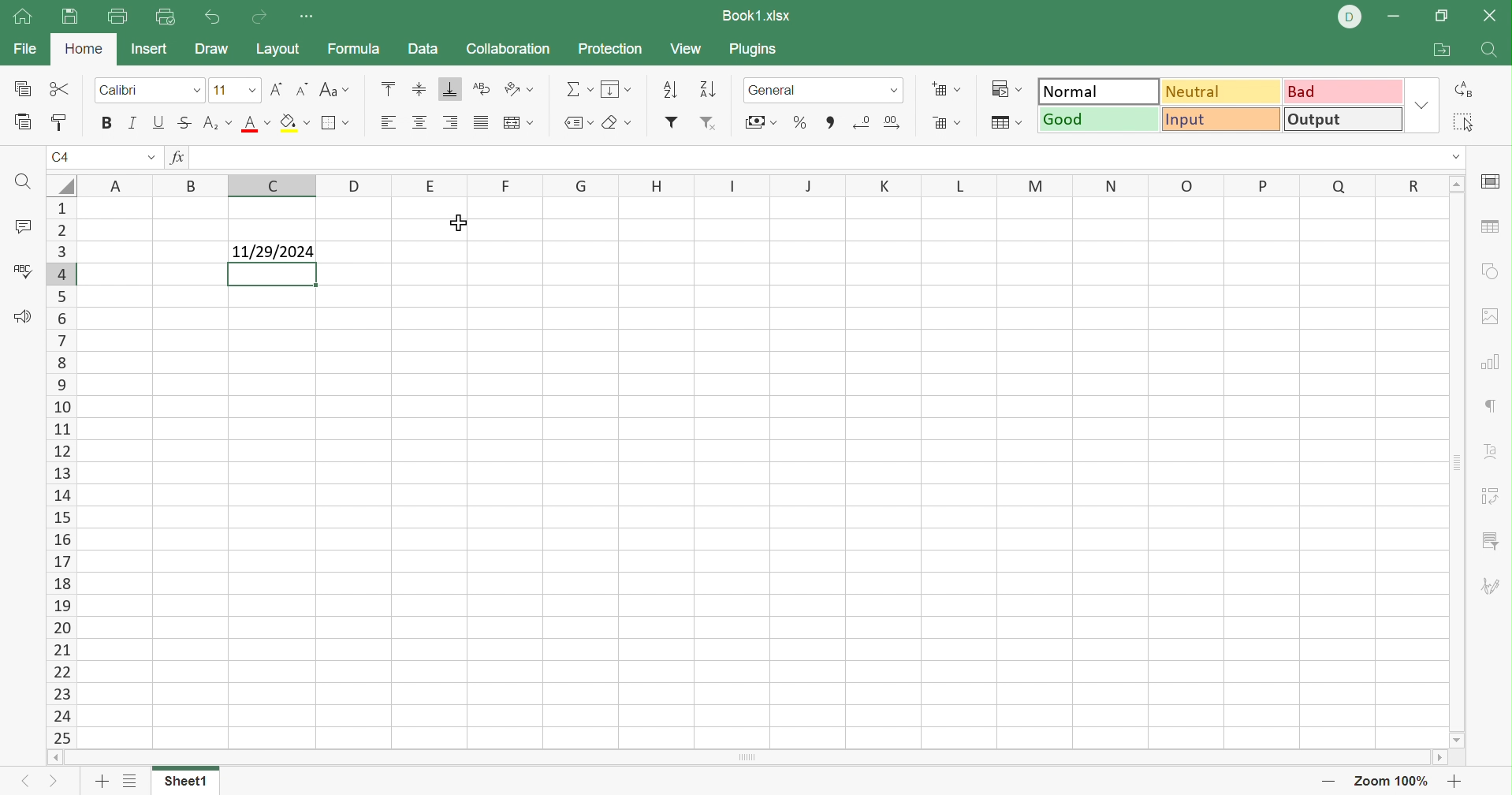  I want to click on Text Art settings, so click(1494, 453).